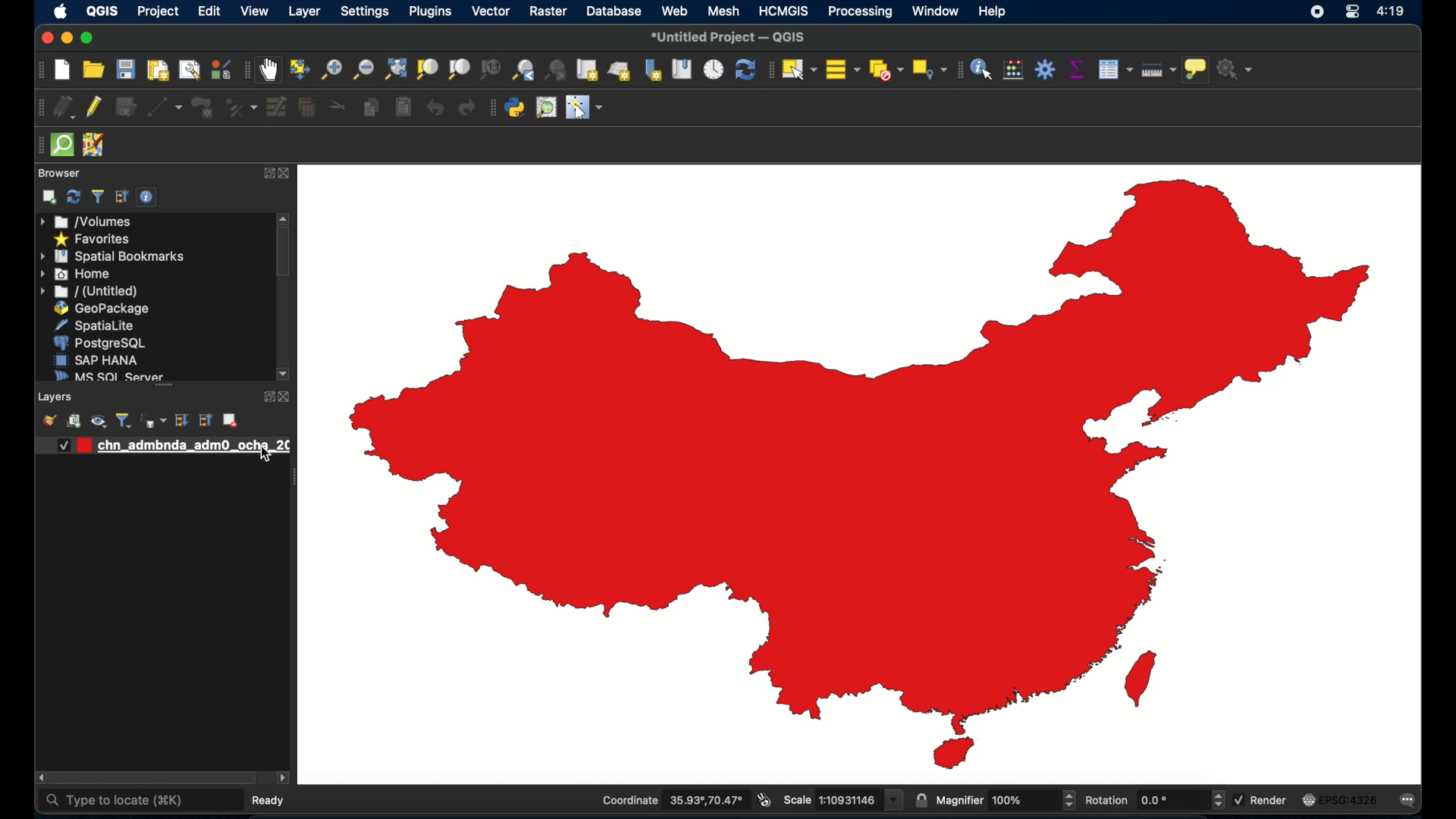 Image resolution: width=1456 pixels, height=819 pixels. What do you see at coordinates (61, 146) in the screenshot?
I see `quicksom` at bounding box center [61, 146].